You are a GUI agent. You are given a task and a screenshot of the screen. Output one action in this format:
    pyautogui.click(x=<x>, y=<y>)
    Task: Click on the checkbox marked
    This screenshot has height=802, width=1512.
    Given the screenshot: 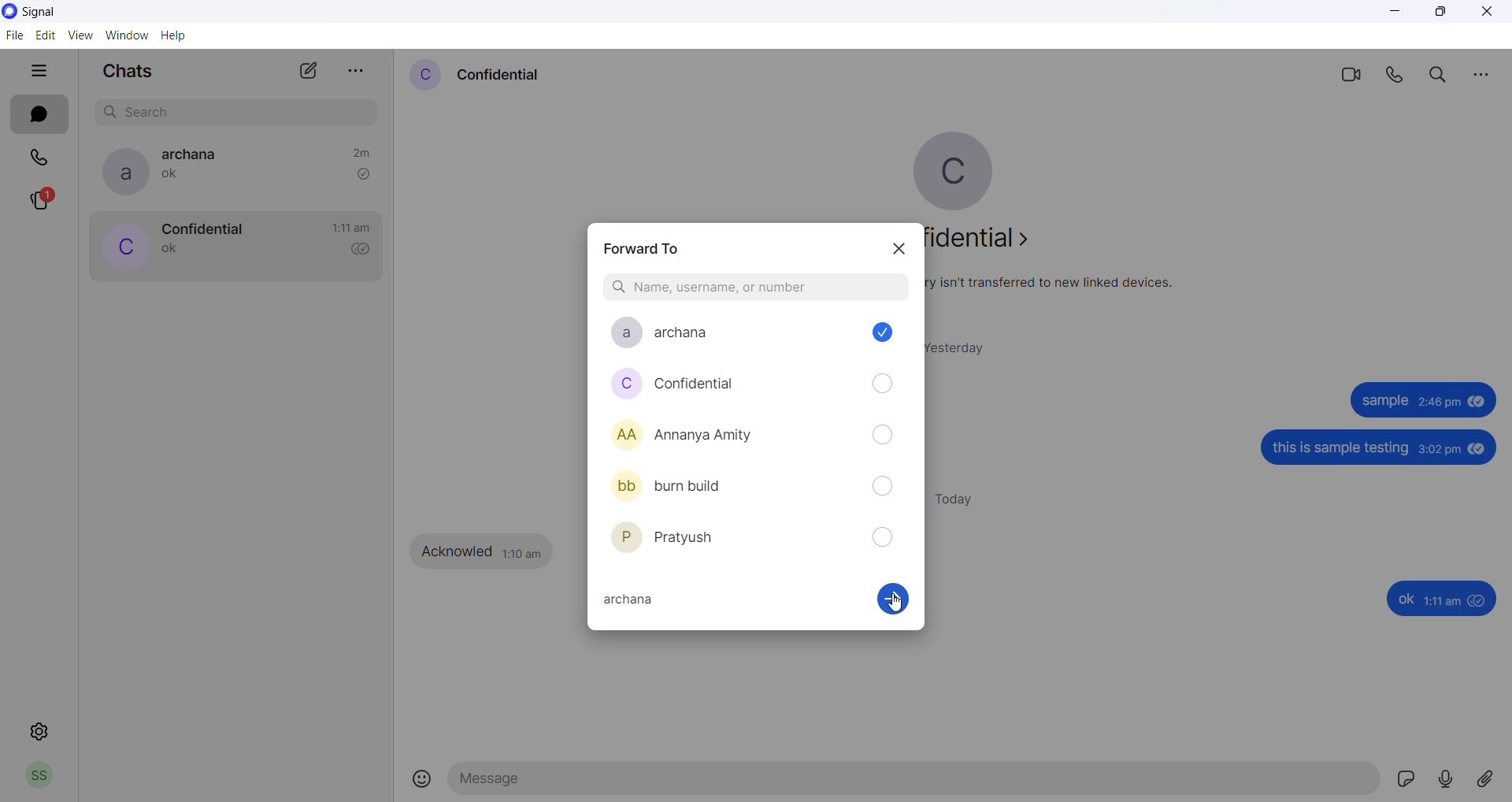 What is the action you would take?
    pyautogui.click(x=885, y=332)
    